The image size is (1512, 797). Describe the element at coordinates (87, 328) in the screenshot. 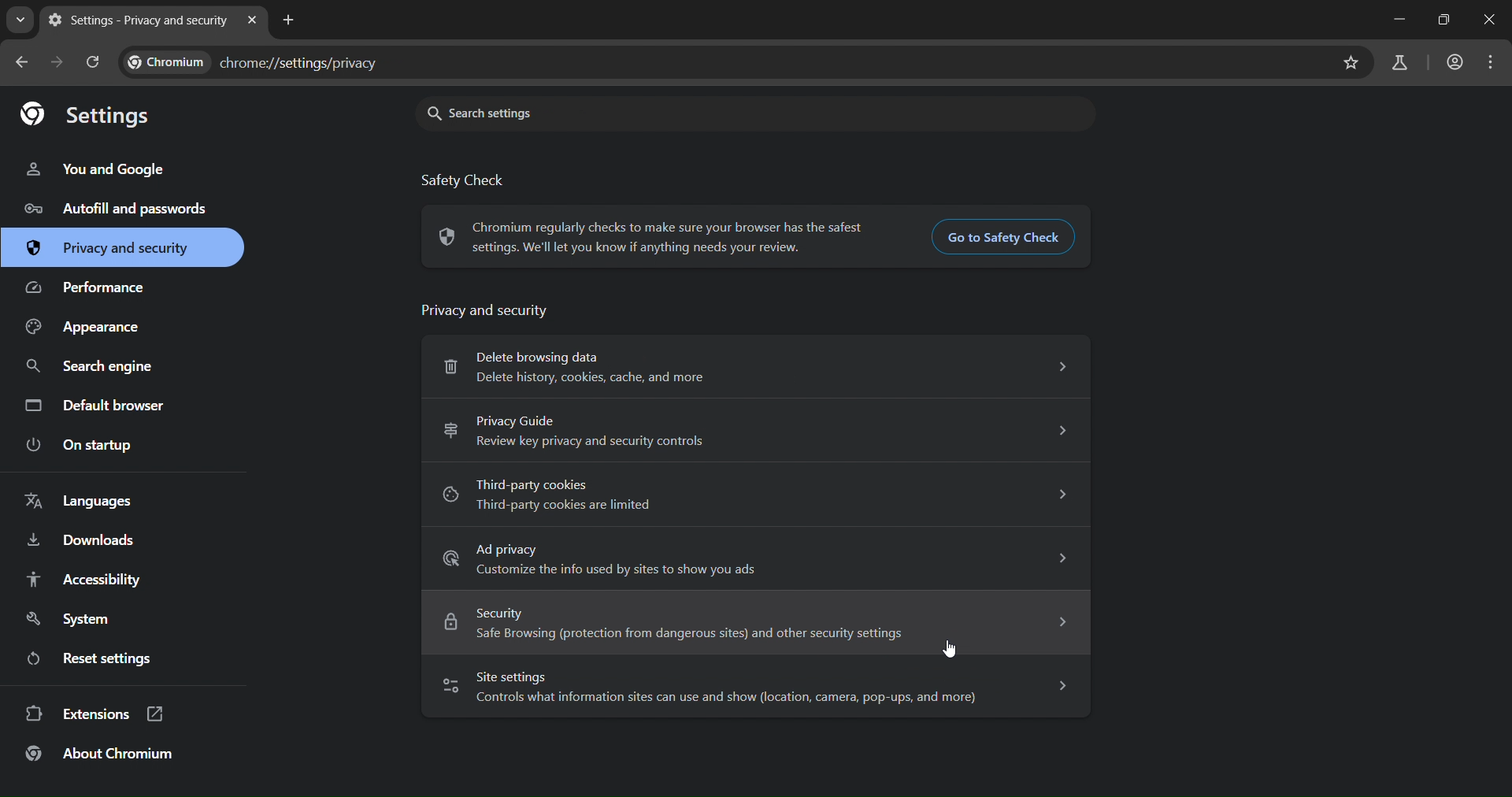

I see `appearance` at that location.